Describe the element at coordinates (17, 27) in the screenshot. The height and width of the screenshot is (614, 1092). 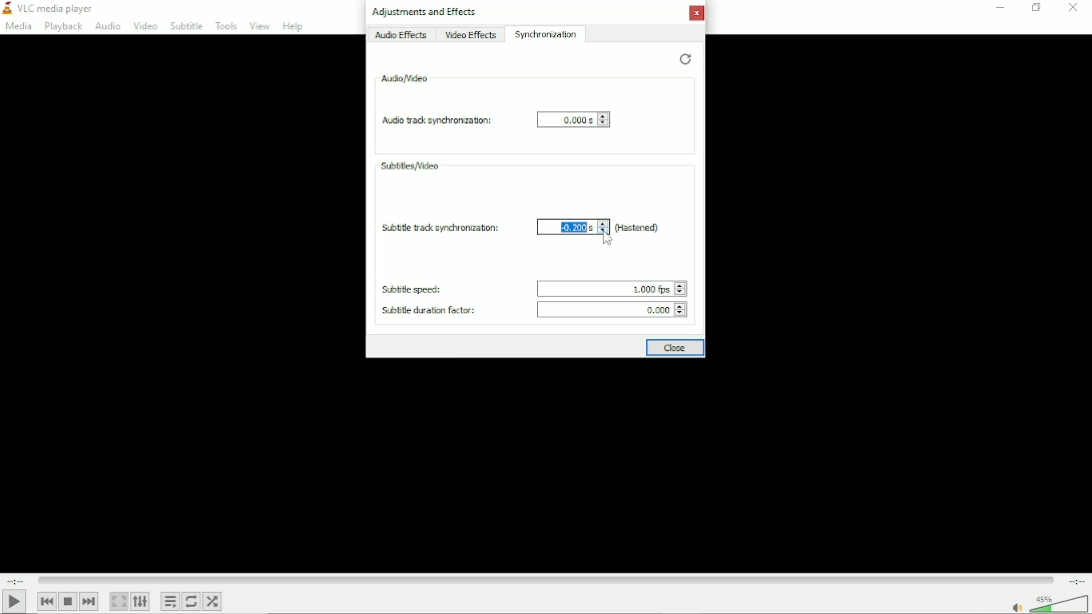
I see `Media` at that location.